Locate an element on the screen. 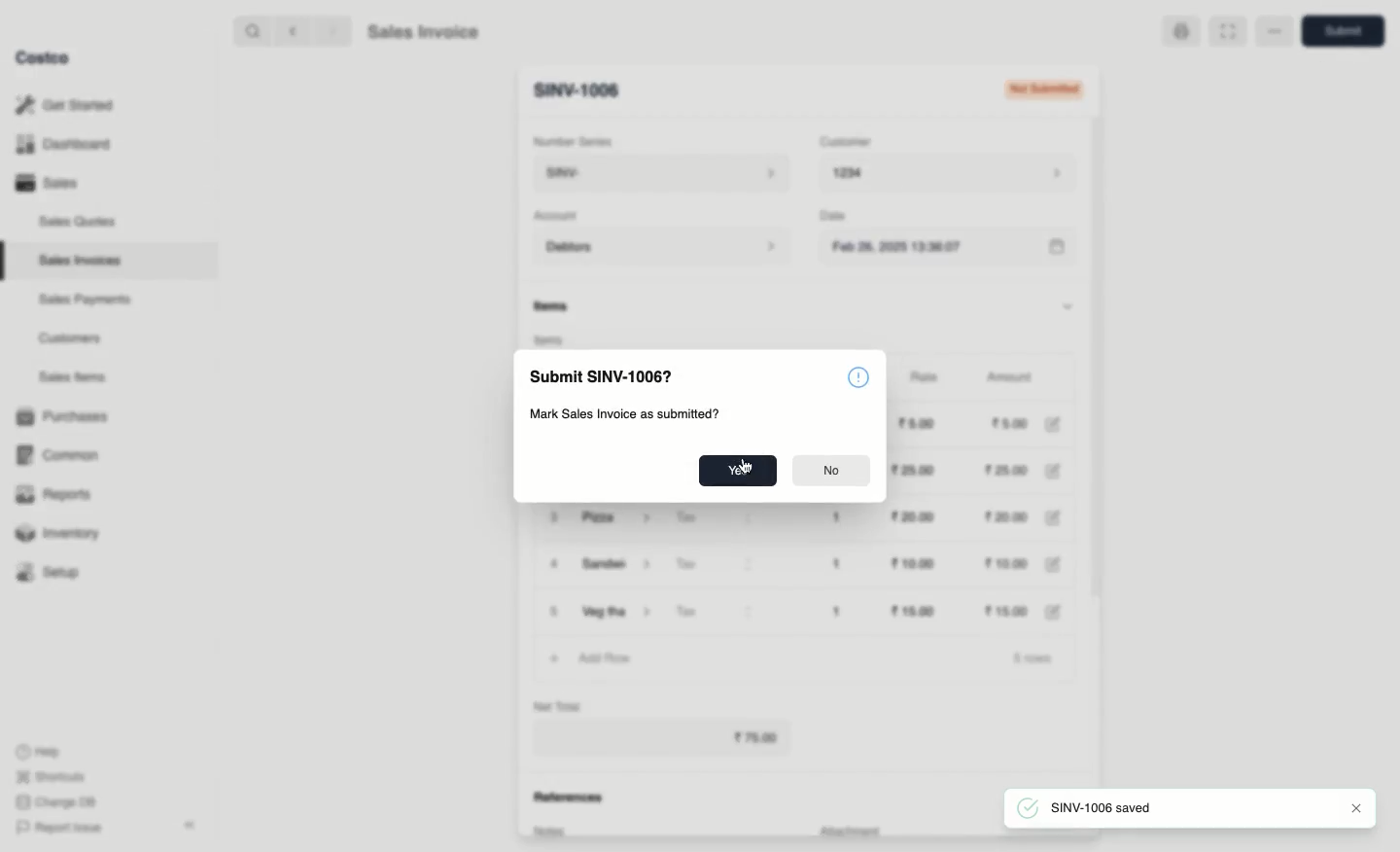 This screenshot has height=852, width=1400. Search is located at coordinates (250, 30).